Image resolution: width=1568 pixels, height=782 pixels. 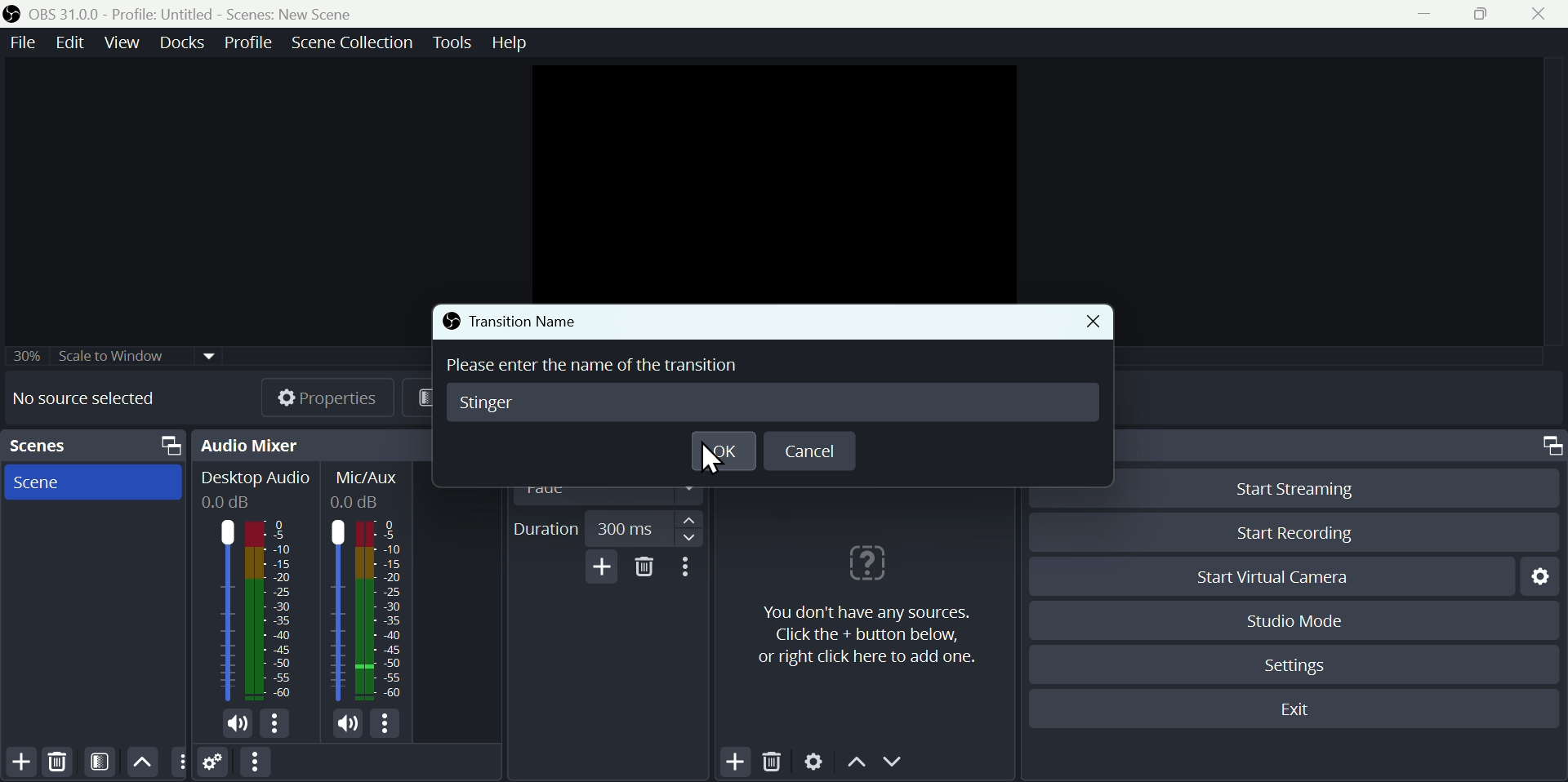 I want to click on scenes, so click(x=93, y=482).